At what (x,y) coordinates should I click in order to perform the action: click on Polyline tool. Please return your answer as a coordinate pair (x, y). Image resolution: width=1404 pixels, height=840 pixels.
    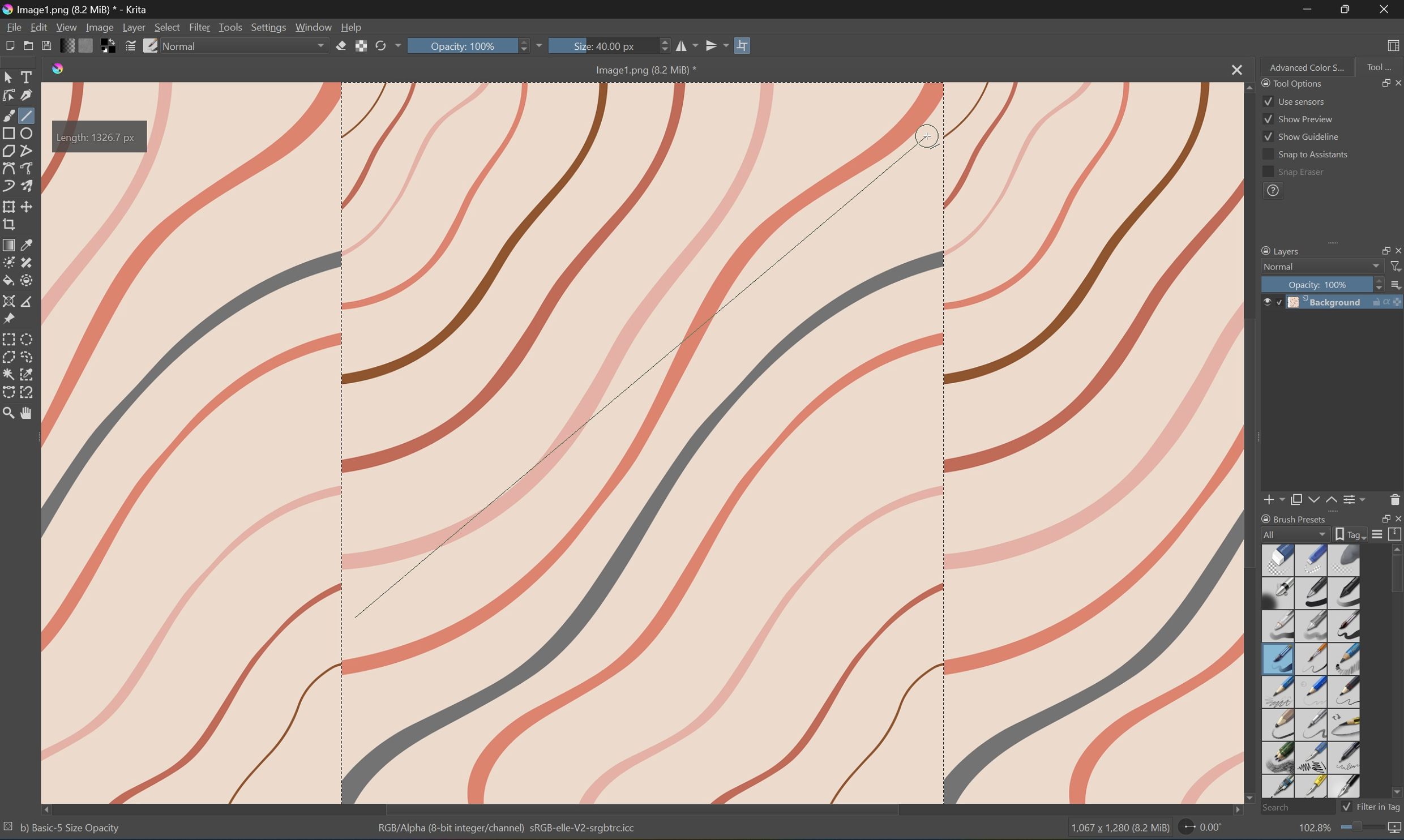
    Looking at the image, I should click on (27, 151).